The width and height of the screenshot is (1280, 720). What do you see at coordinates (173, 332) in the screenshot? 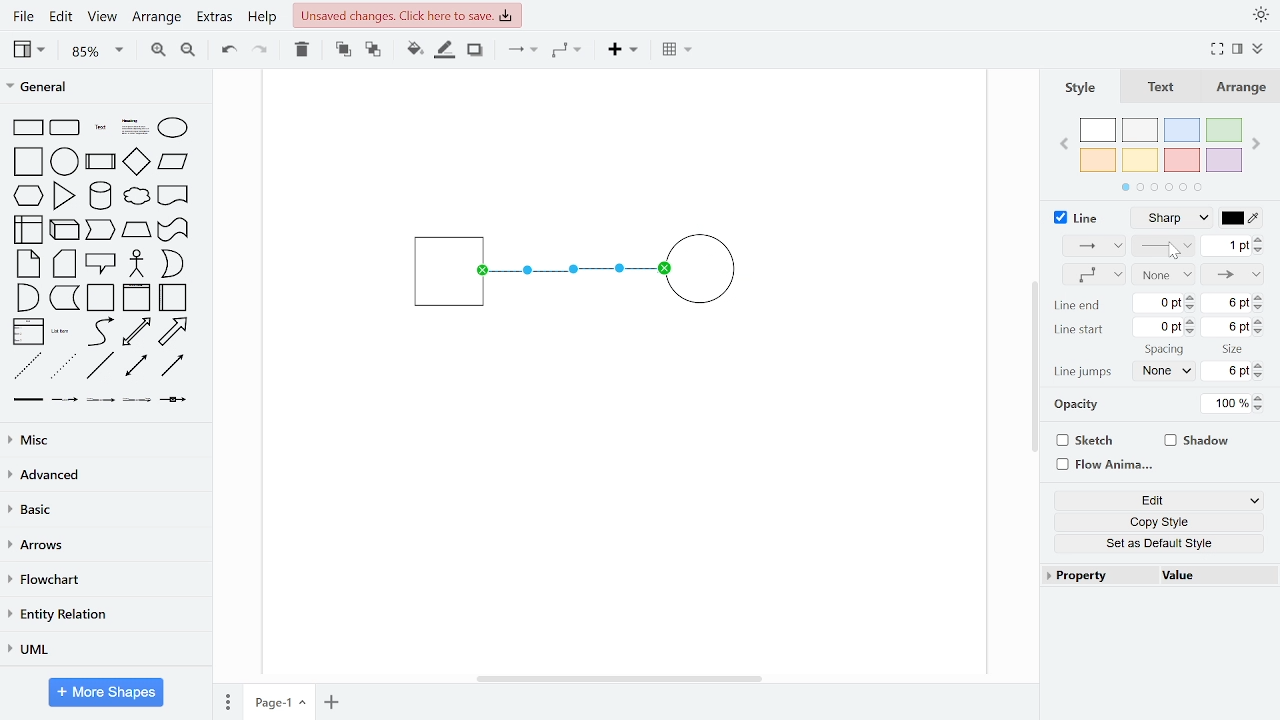
I see `arrow` at bounding box center [173, 332].